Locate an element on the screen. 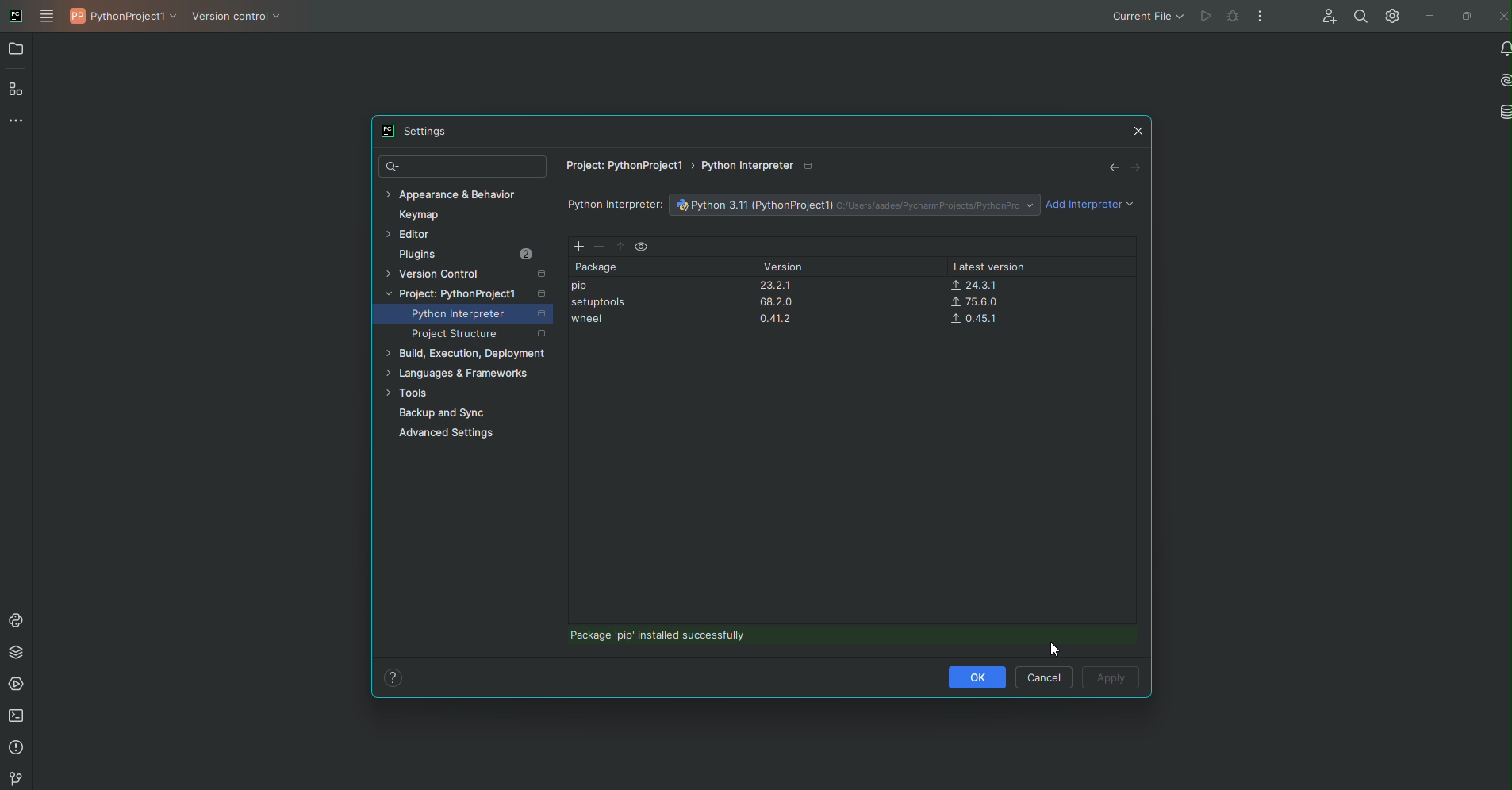  wheel is located at coordinates (589, 321).